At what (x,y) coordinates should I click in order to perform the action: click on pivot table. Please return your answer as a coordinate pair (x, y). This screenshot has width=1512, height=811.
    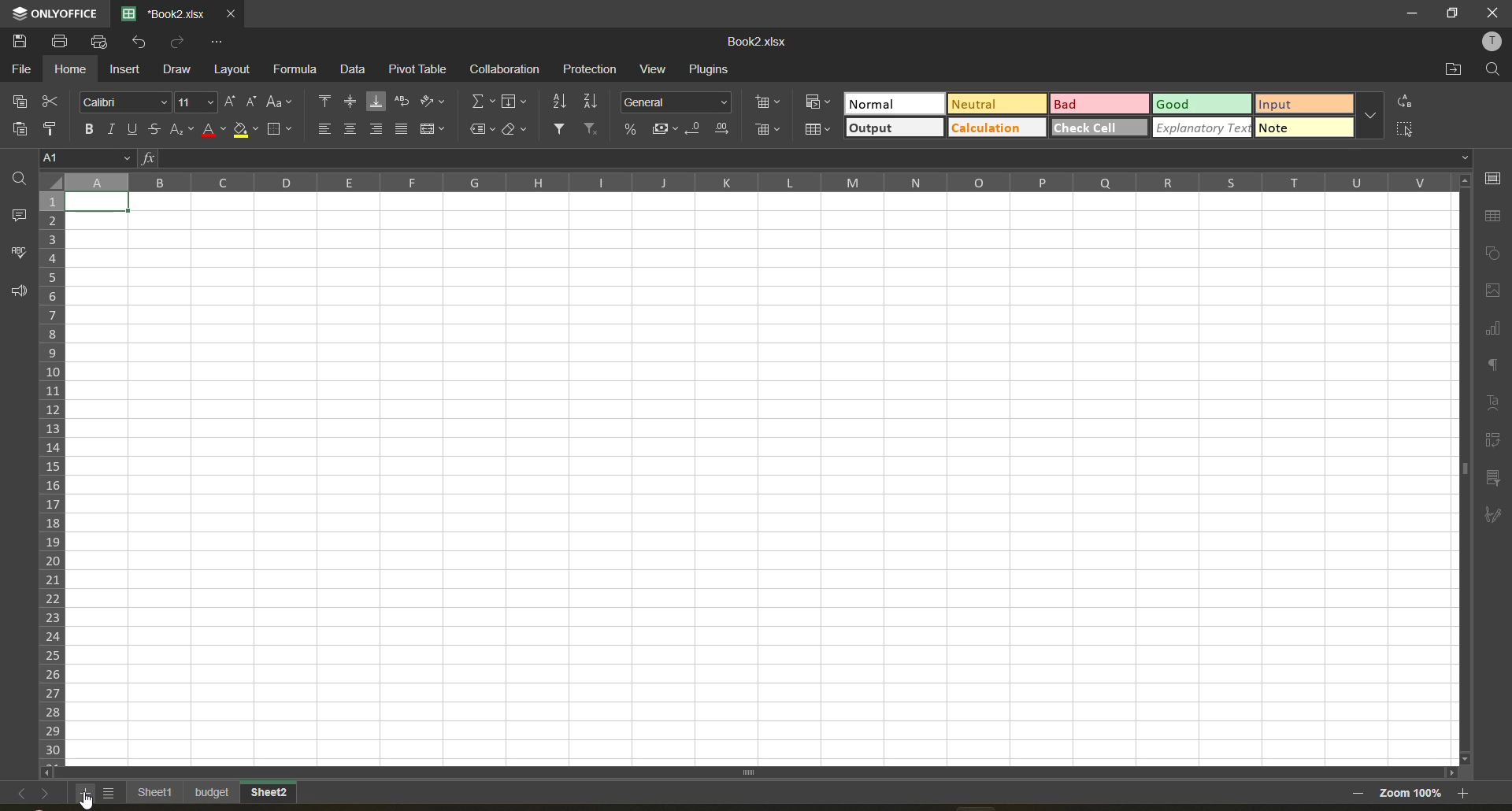
    Looking at the image, I should click on (1495, 440).